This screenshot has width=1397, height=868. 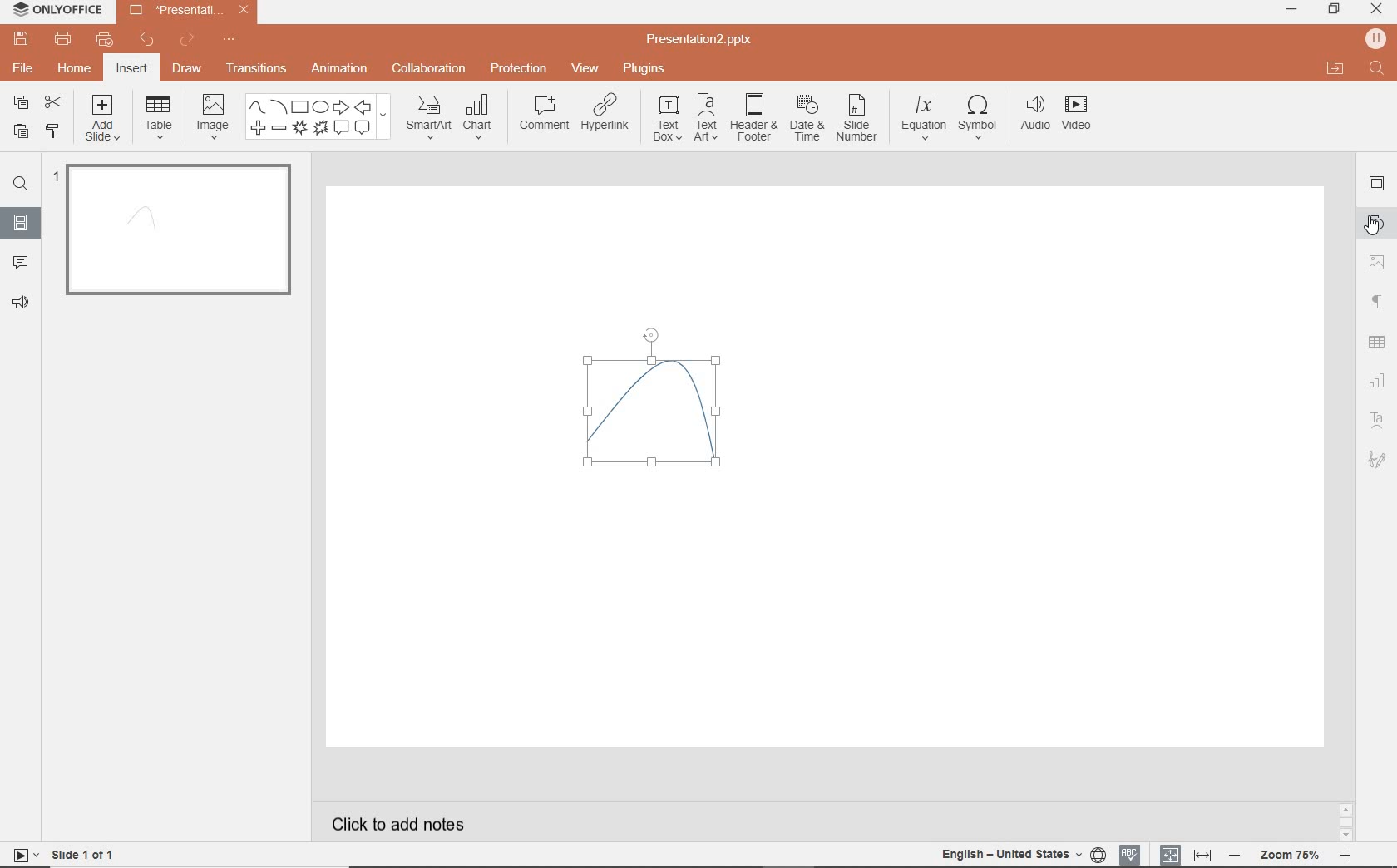 I want to click on table settings, so click(x=1379, y=340).